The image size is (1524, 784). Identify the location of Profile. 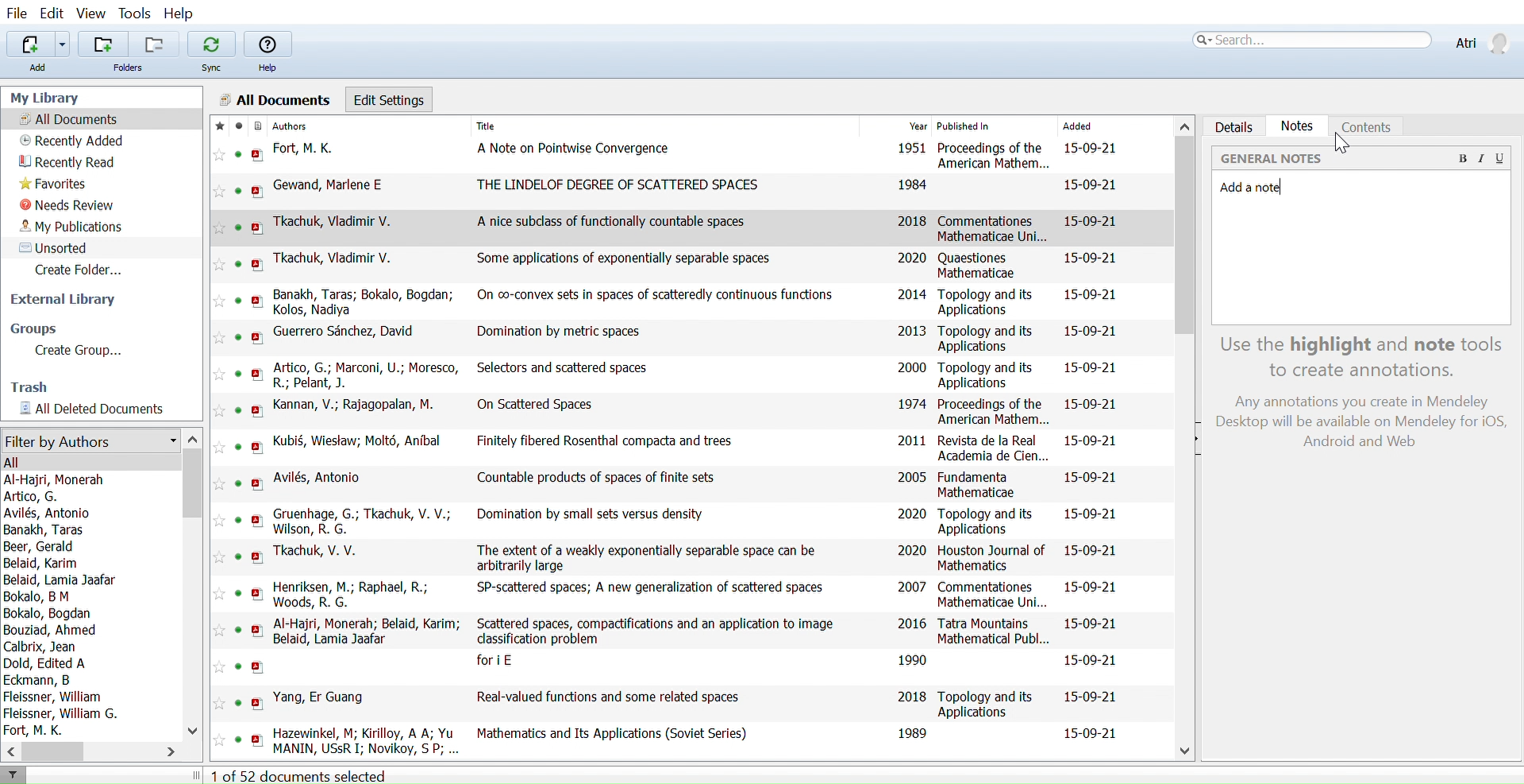
(1480, 40).